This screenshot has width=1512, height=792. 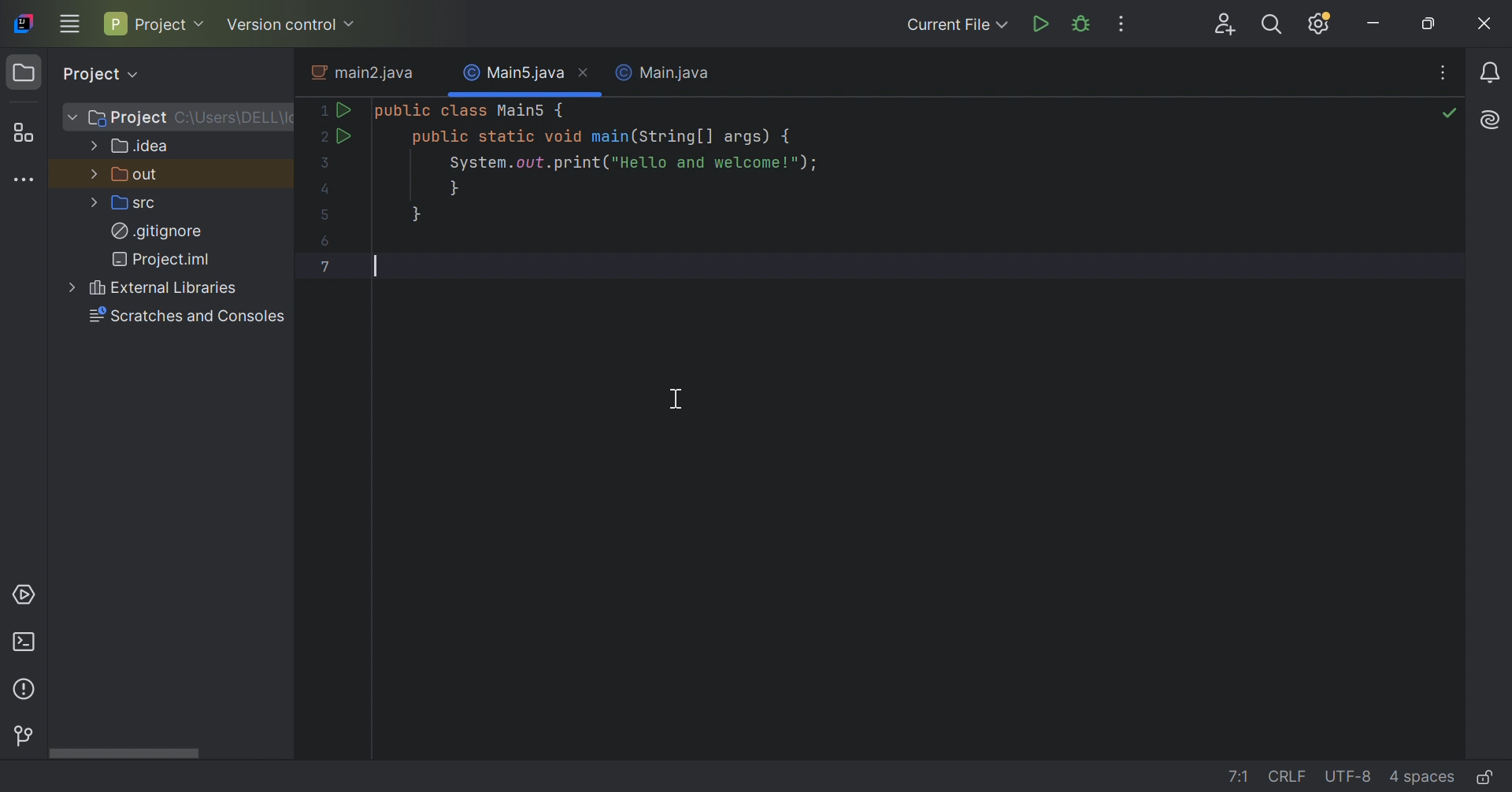 What do you see at coordinates (1486, 777) in the screenshot?
I see `Make file read only` at bounding box center [1486, 777].